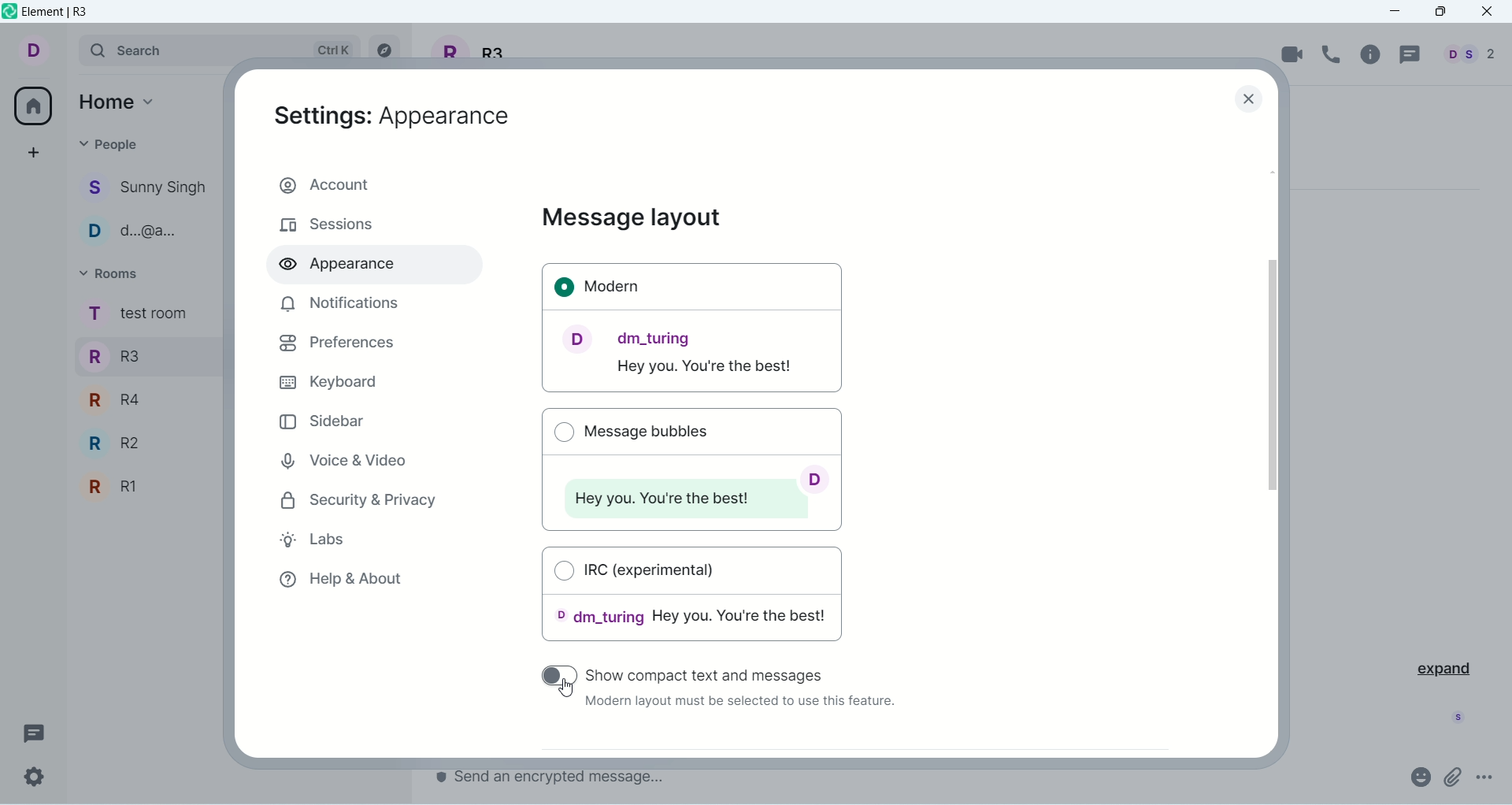 This screenshot has width=1512, height=805. I want to click on threads, so click(1407, 55).